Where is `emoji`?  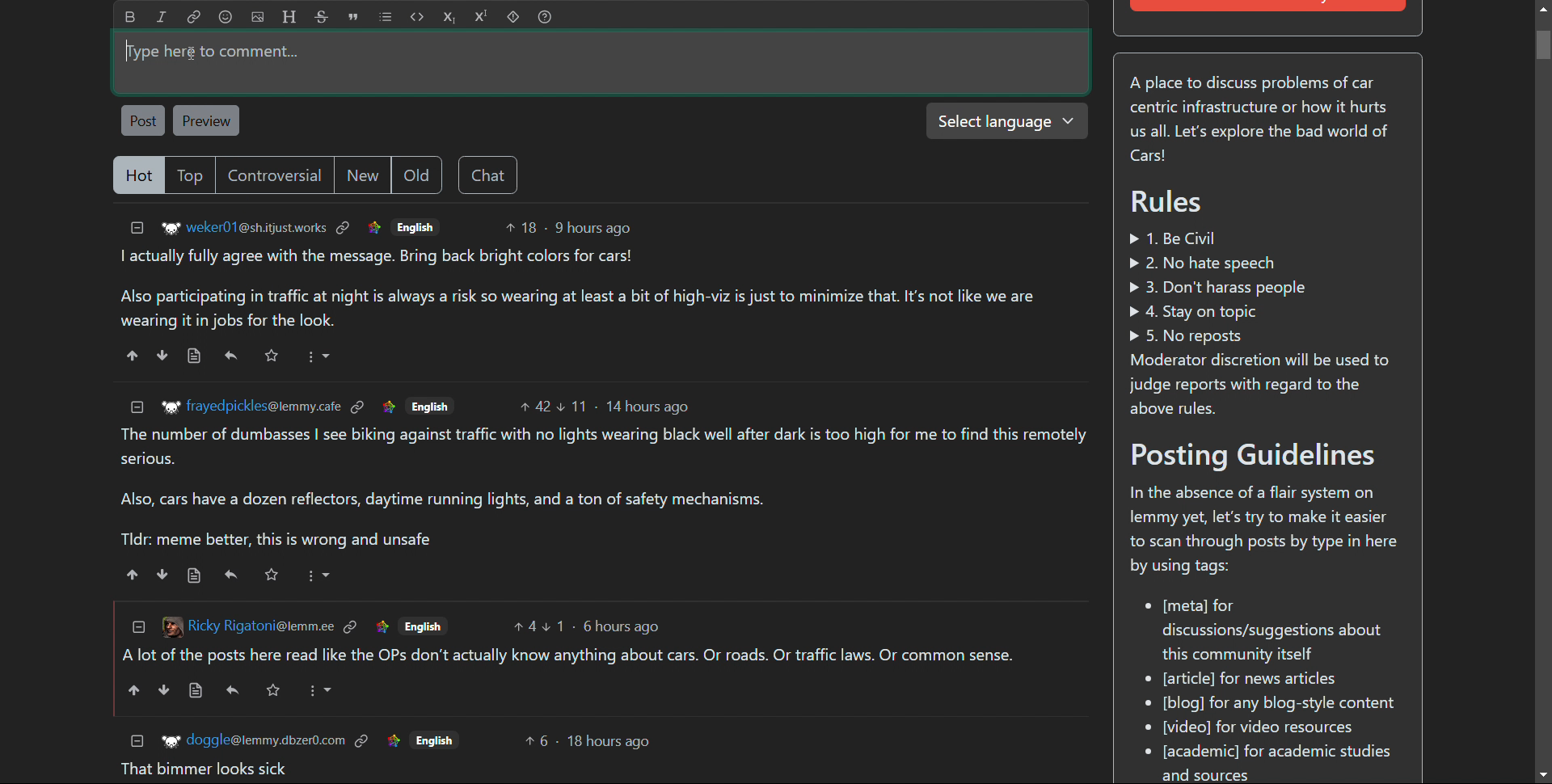
emoji is located at coordinates (226, 17).